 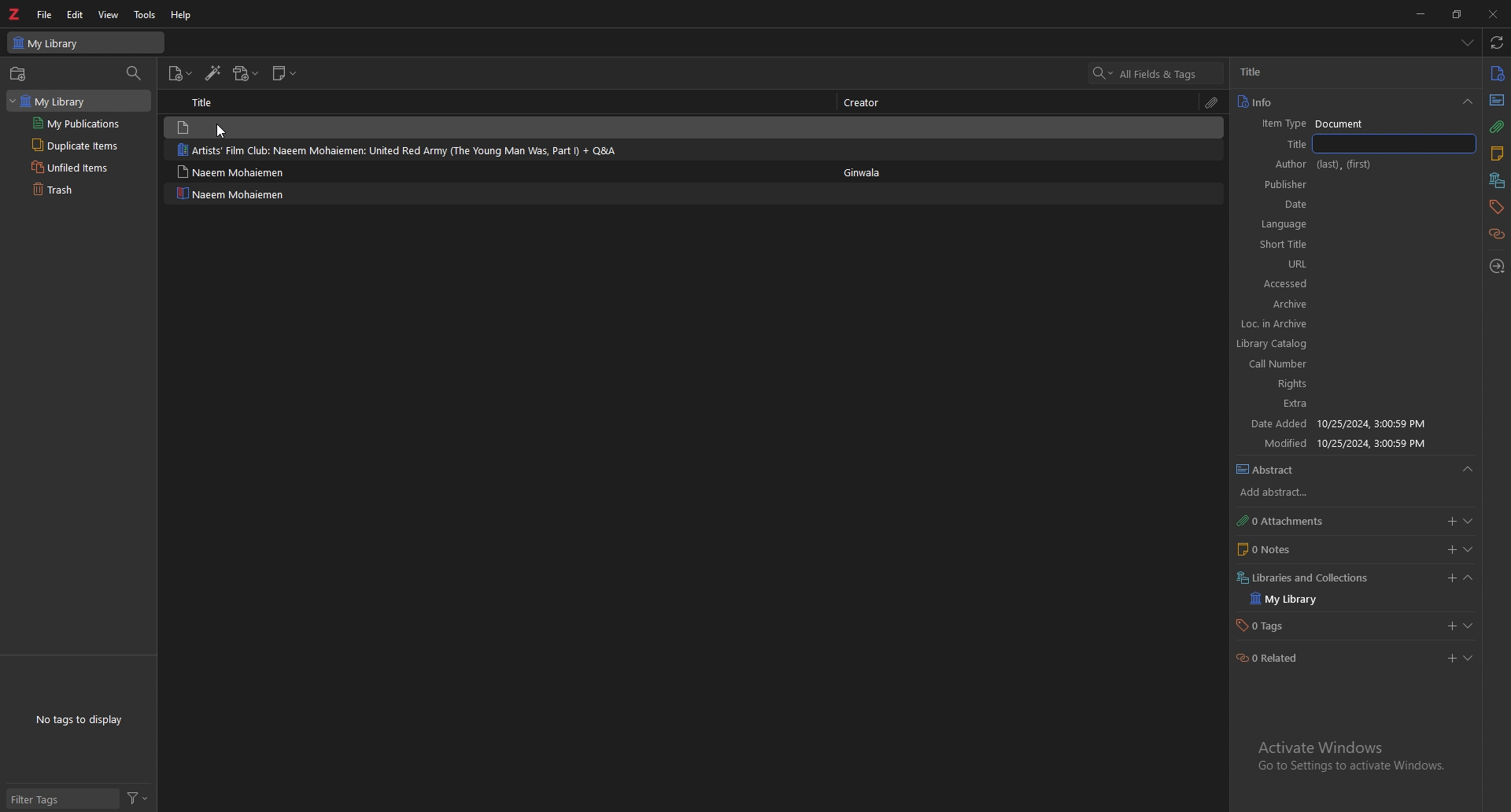 I want to click on sync with zotero.org, so click(x=1497, y=42).